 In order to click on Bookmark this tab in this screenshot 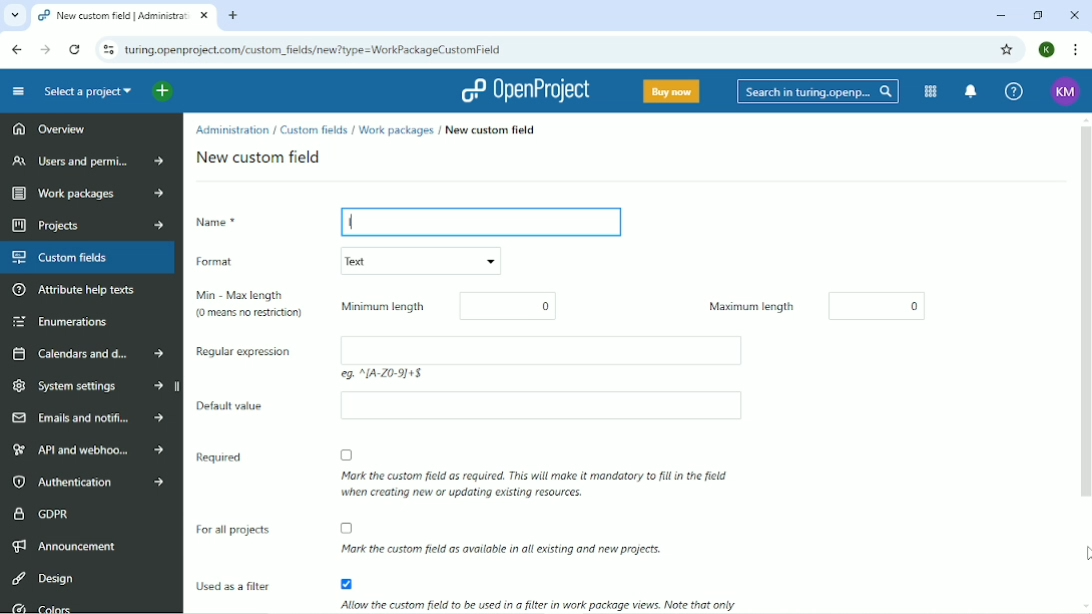, I will do `click(1008, 50)`.